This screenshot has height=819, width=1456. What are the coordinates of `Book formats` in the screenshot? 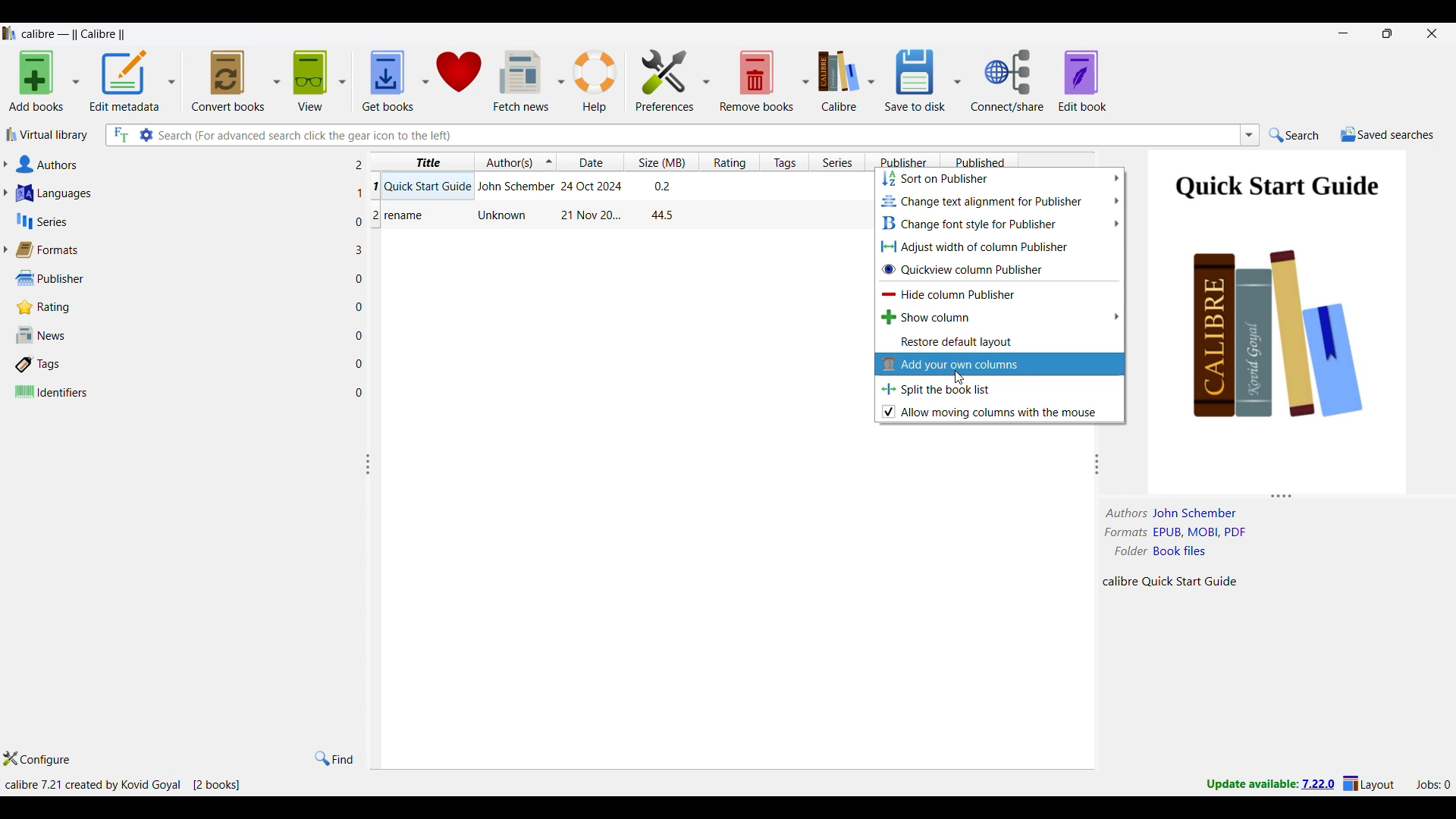 It's located at (1186, 532).